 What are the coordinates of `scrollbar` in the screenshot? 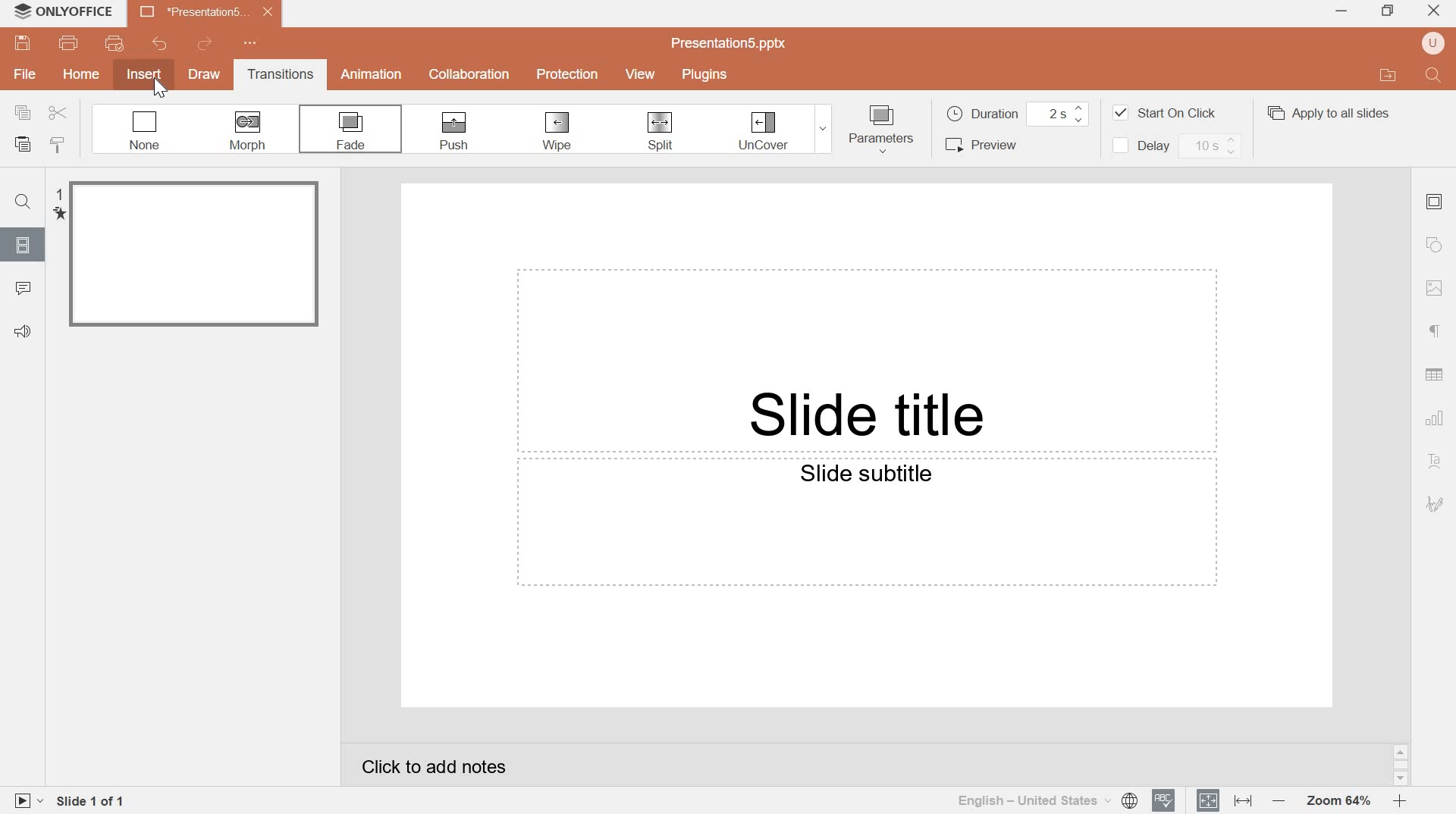 It's located at (1401, 765).